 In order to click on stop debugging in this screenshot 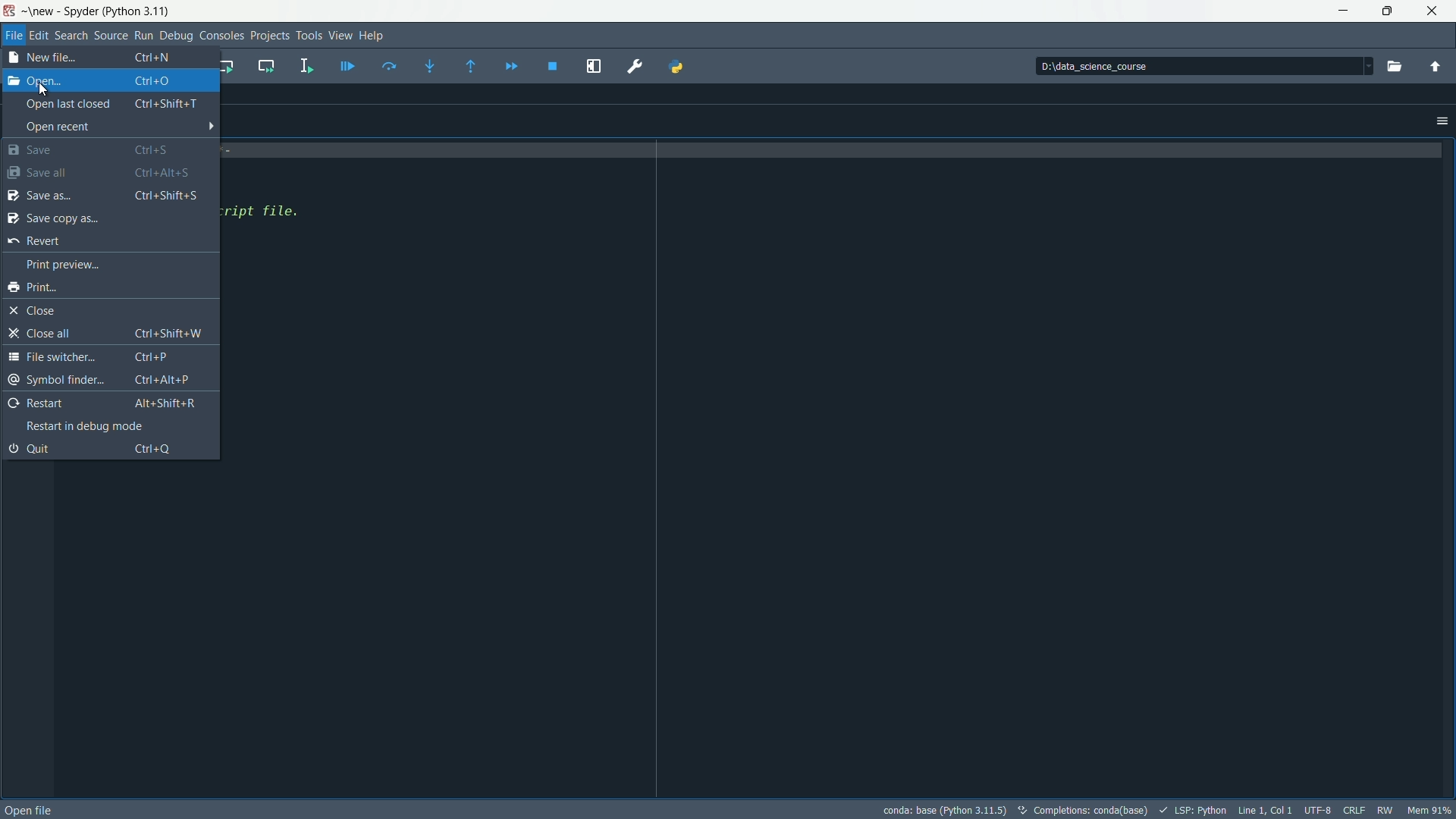, I will do `click(551, 65)`.